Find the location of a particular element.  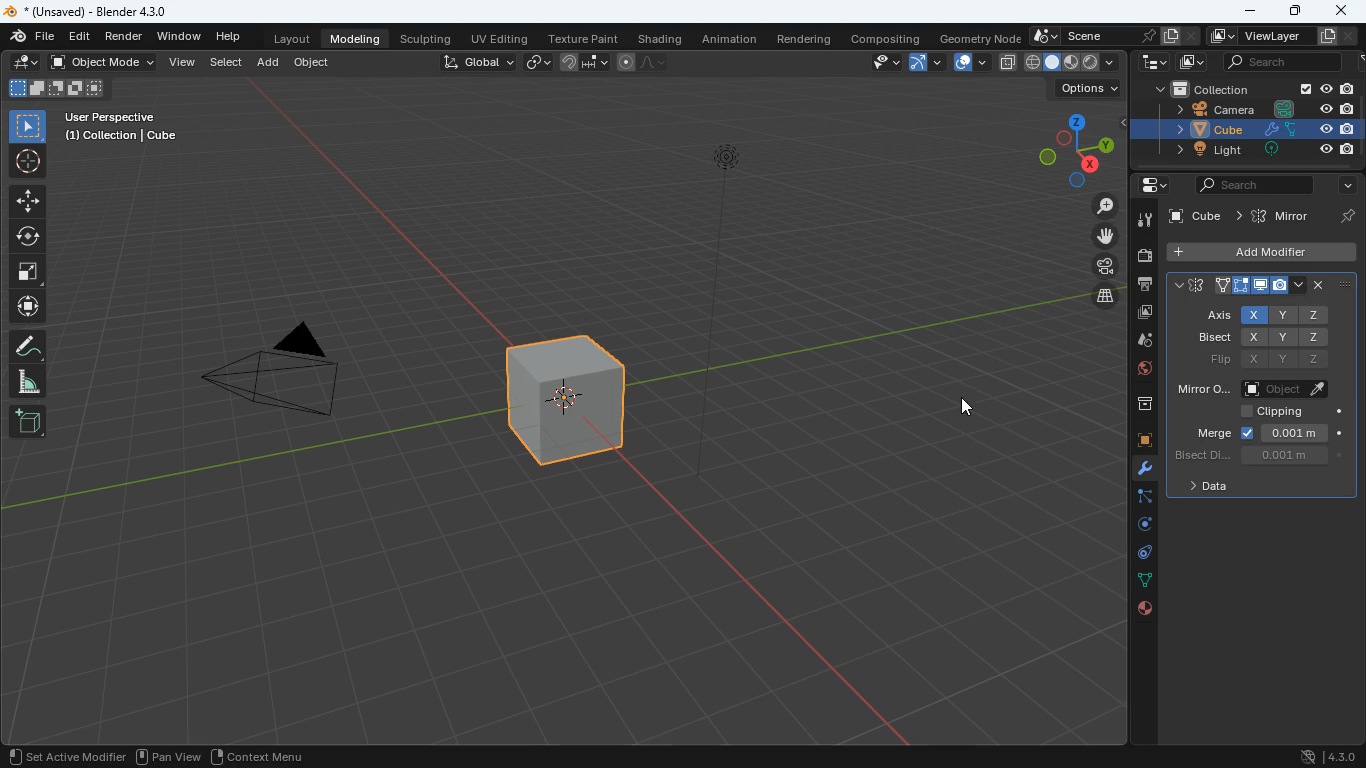

move is located at coordinates (23, 202).